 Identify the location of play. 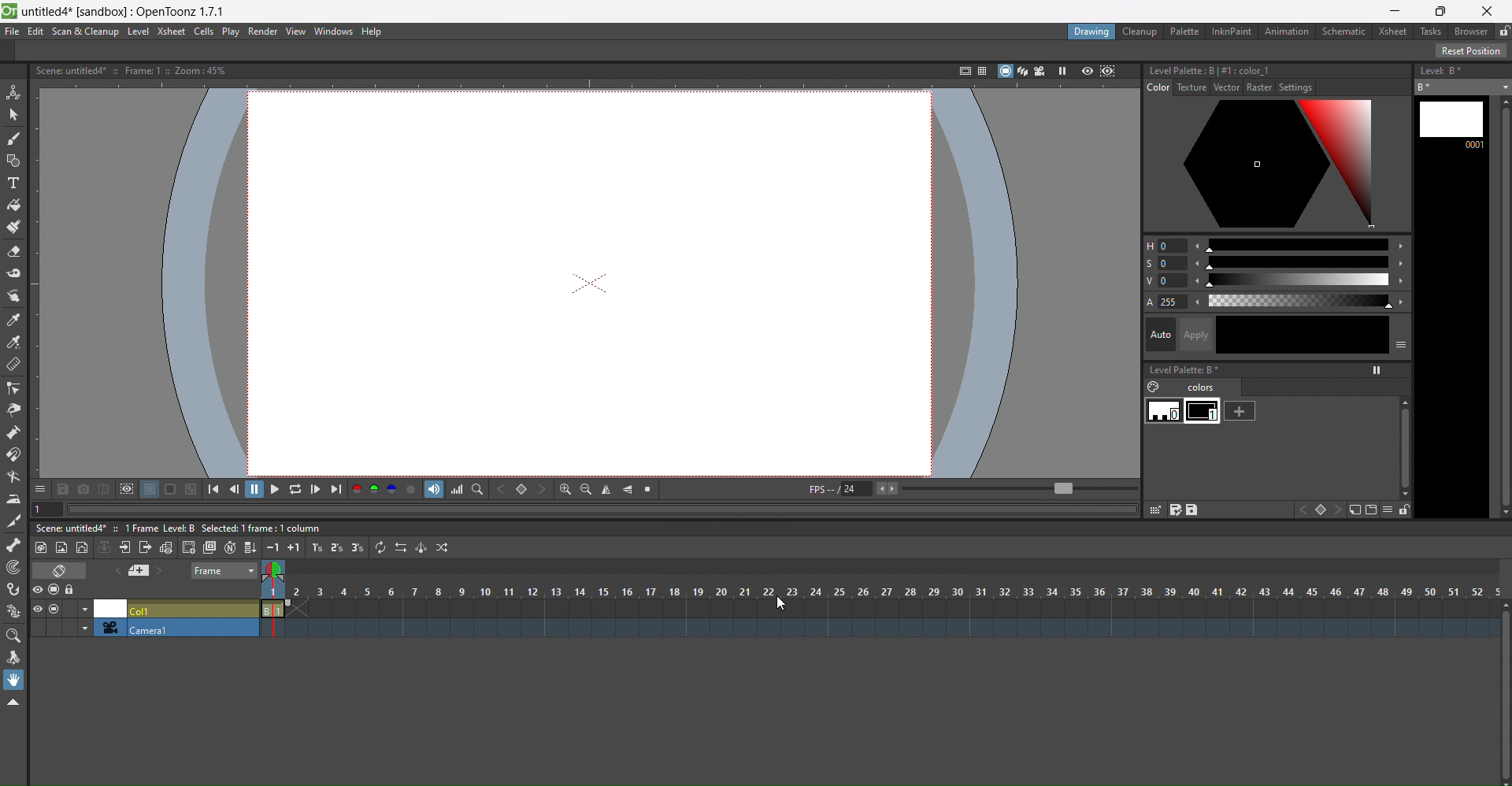
(274, 488).